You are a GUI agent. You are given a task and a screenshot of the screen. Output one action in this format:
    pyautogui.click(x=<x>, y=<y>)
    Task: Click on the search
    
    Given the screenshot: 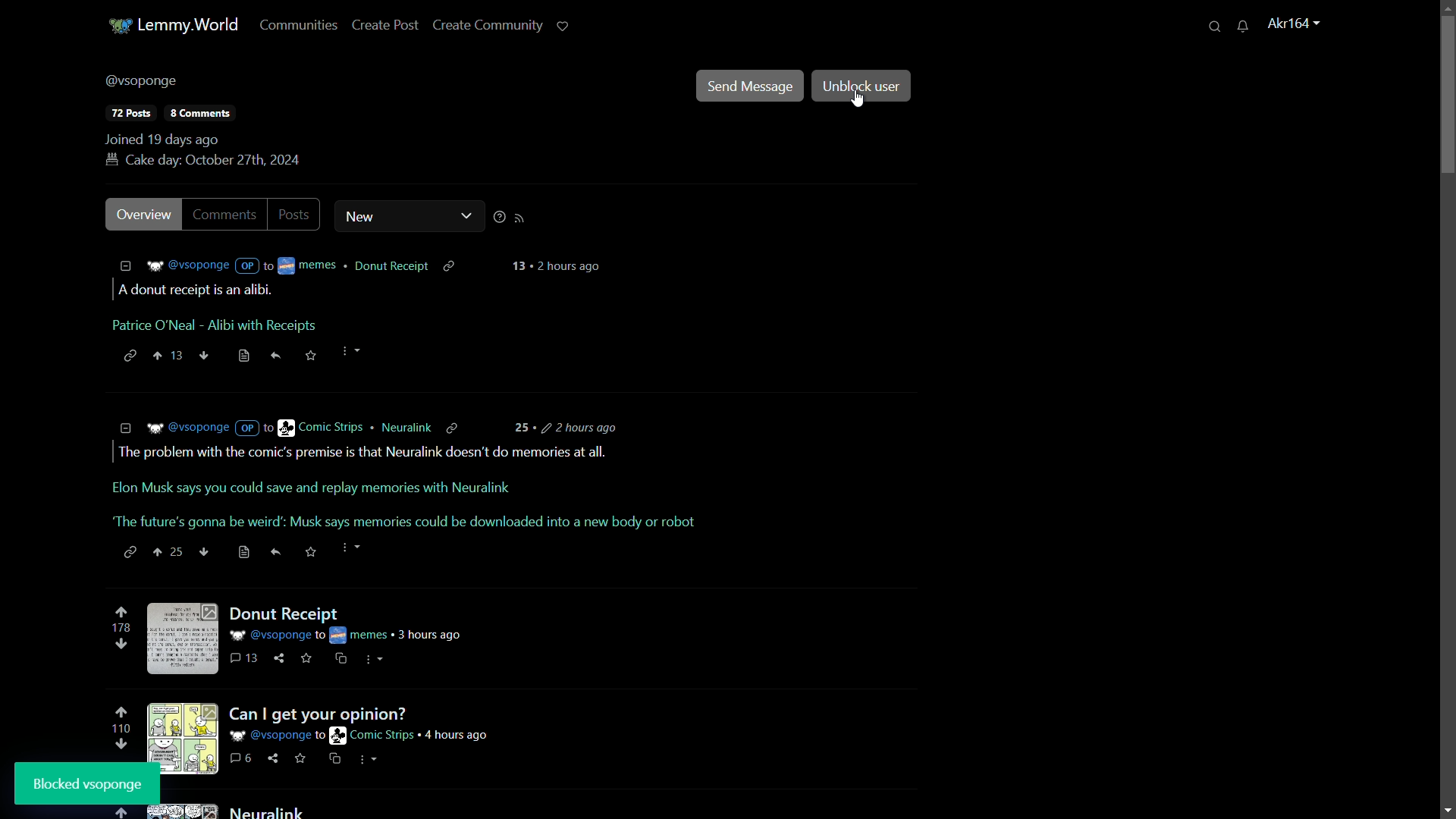 What is the action you would take?
    pyautogui.click(x=1213, y=27)
    